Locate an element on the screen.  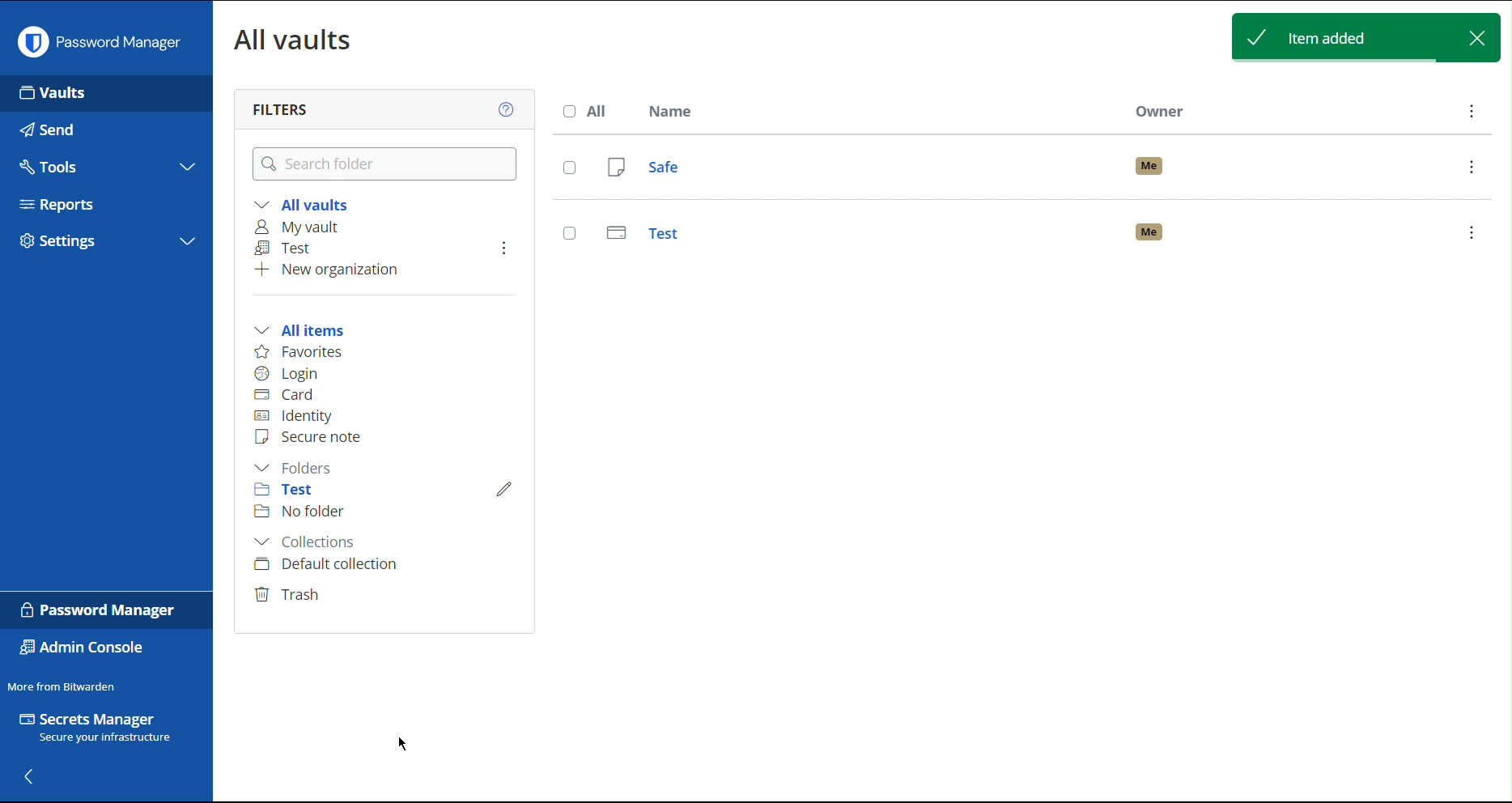
Filters is located at coordinates (282, 108).